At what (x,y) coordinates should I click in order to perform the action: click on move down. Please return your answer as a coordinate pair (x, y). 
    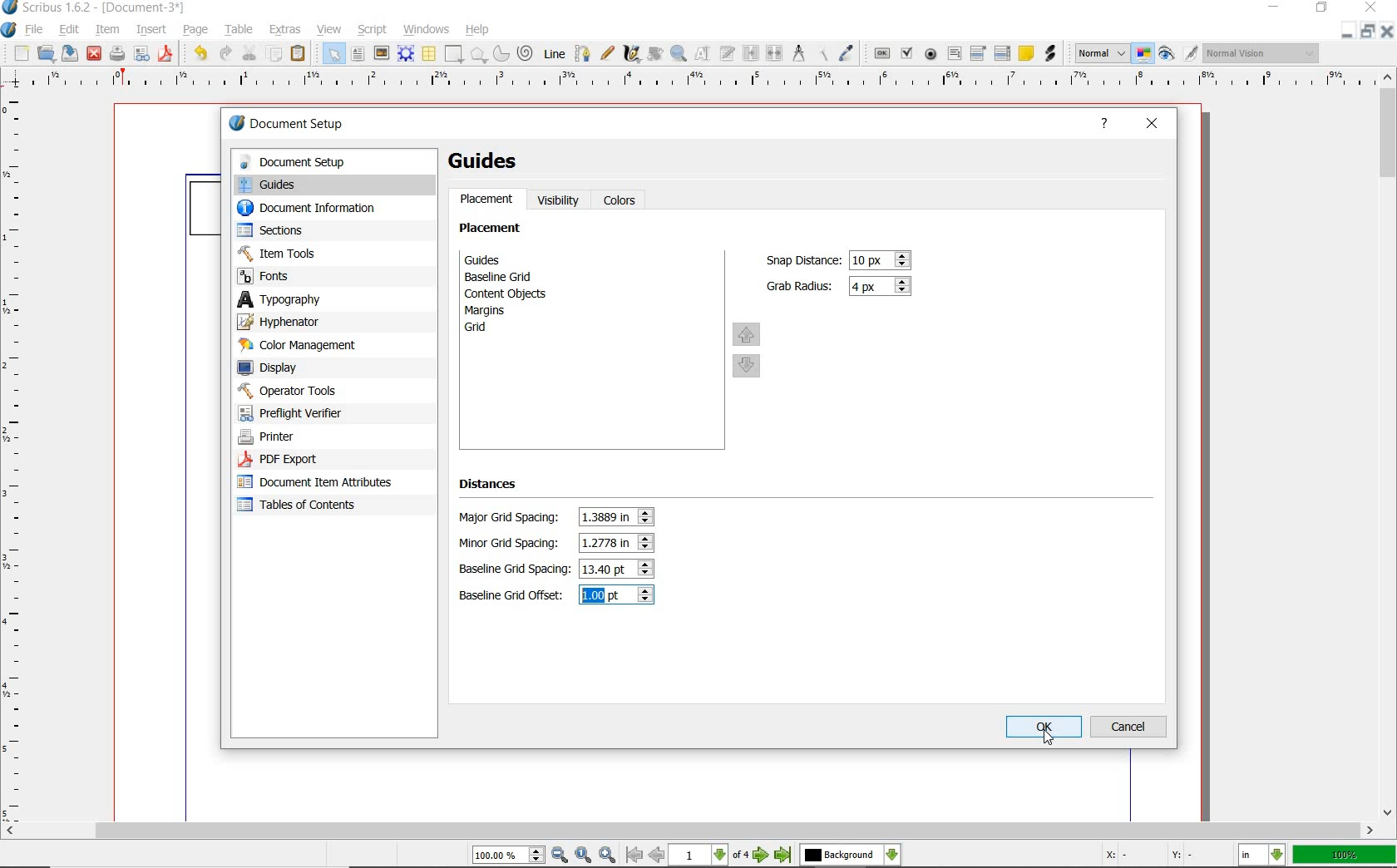
    Looking at the image, I should click on (748, 367).